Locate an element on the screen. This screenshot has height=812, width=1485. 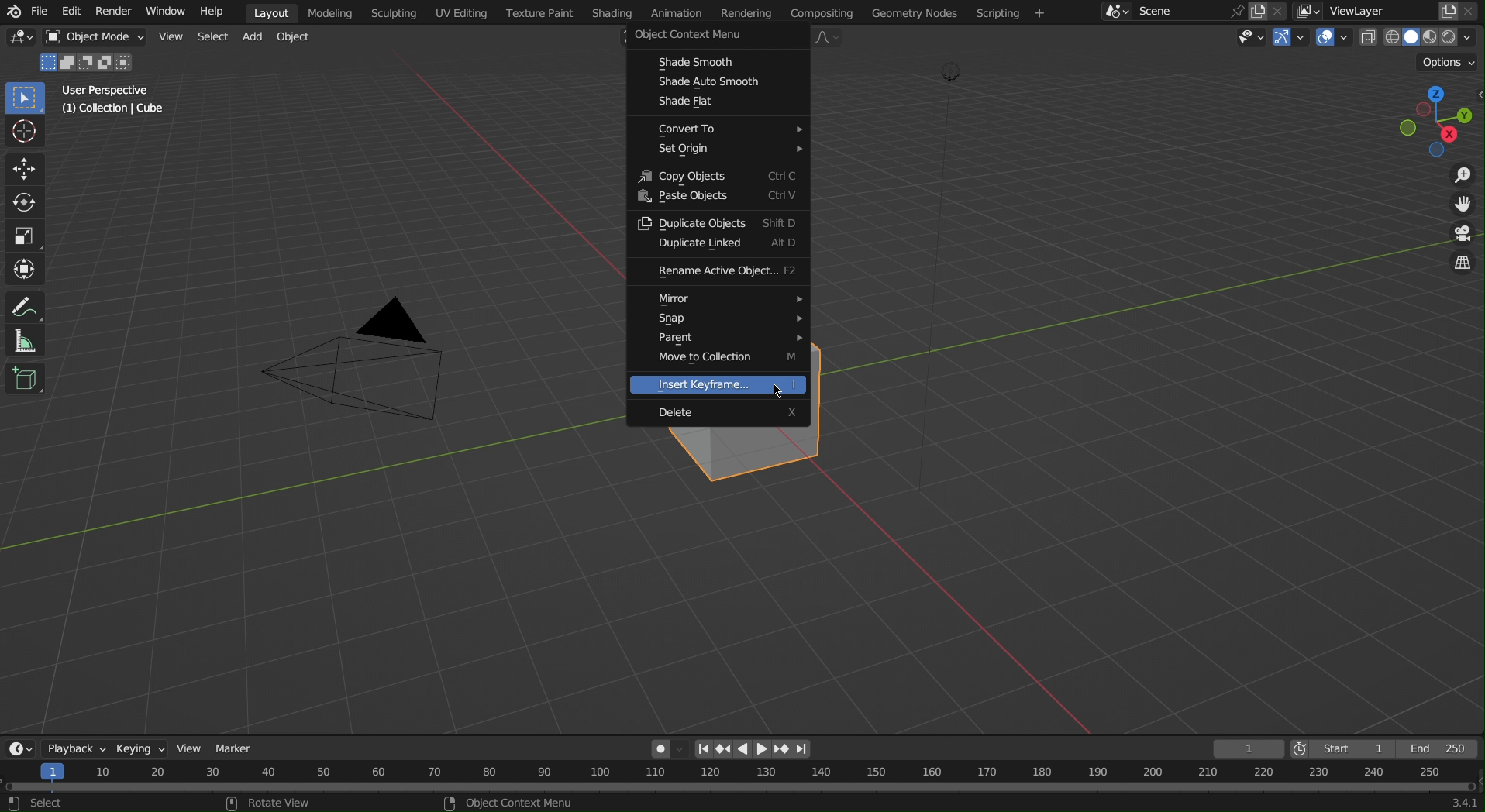
Close is located at coordinates (1474, 12).